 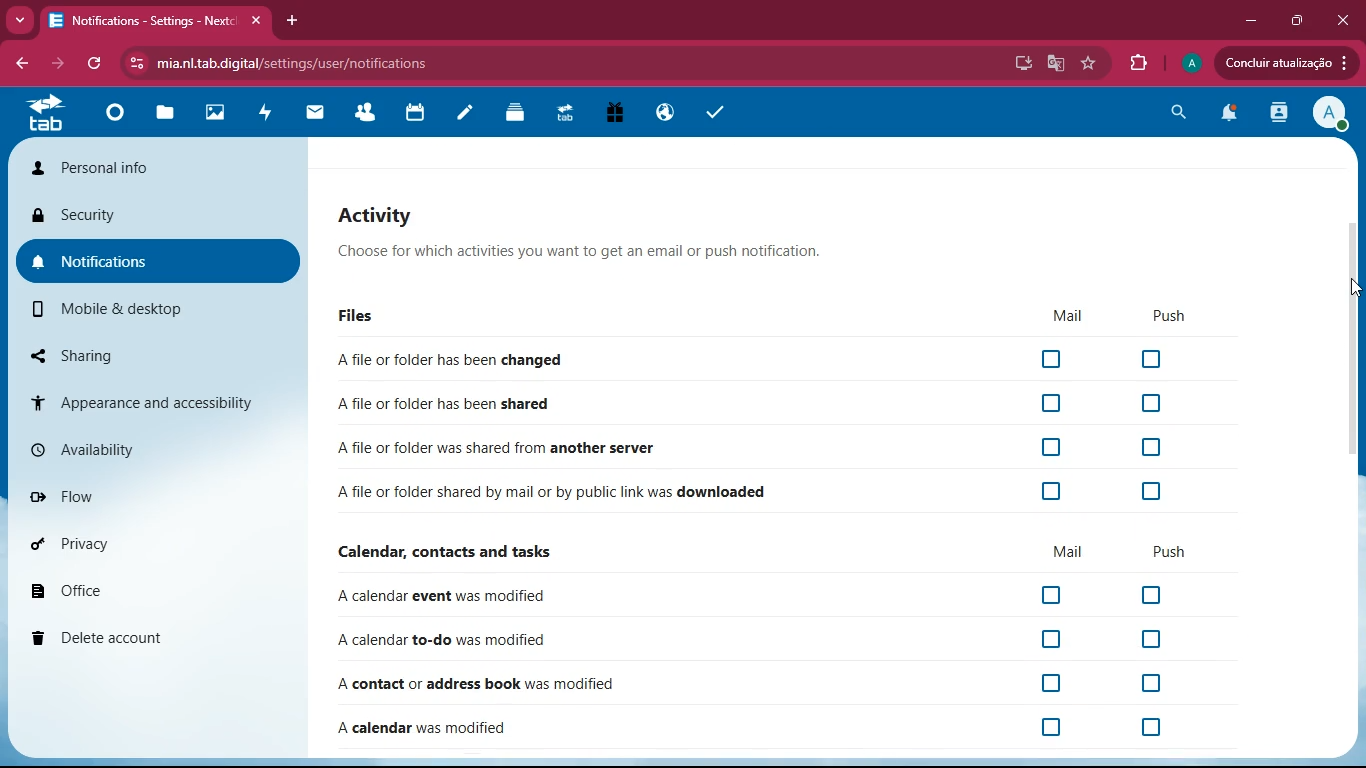 I want to click on sharing, so click(x=147, y=353).